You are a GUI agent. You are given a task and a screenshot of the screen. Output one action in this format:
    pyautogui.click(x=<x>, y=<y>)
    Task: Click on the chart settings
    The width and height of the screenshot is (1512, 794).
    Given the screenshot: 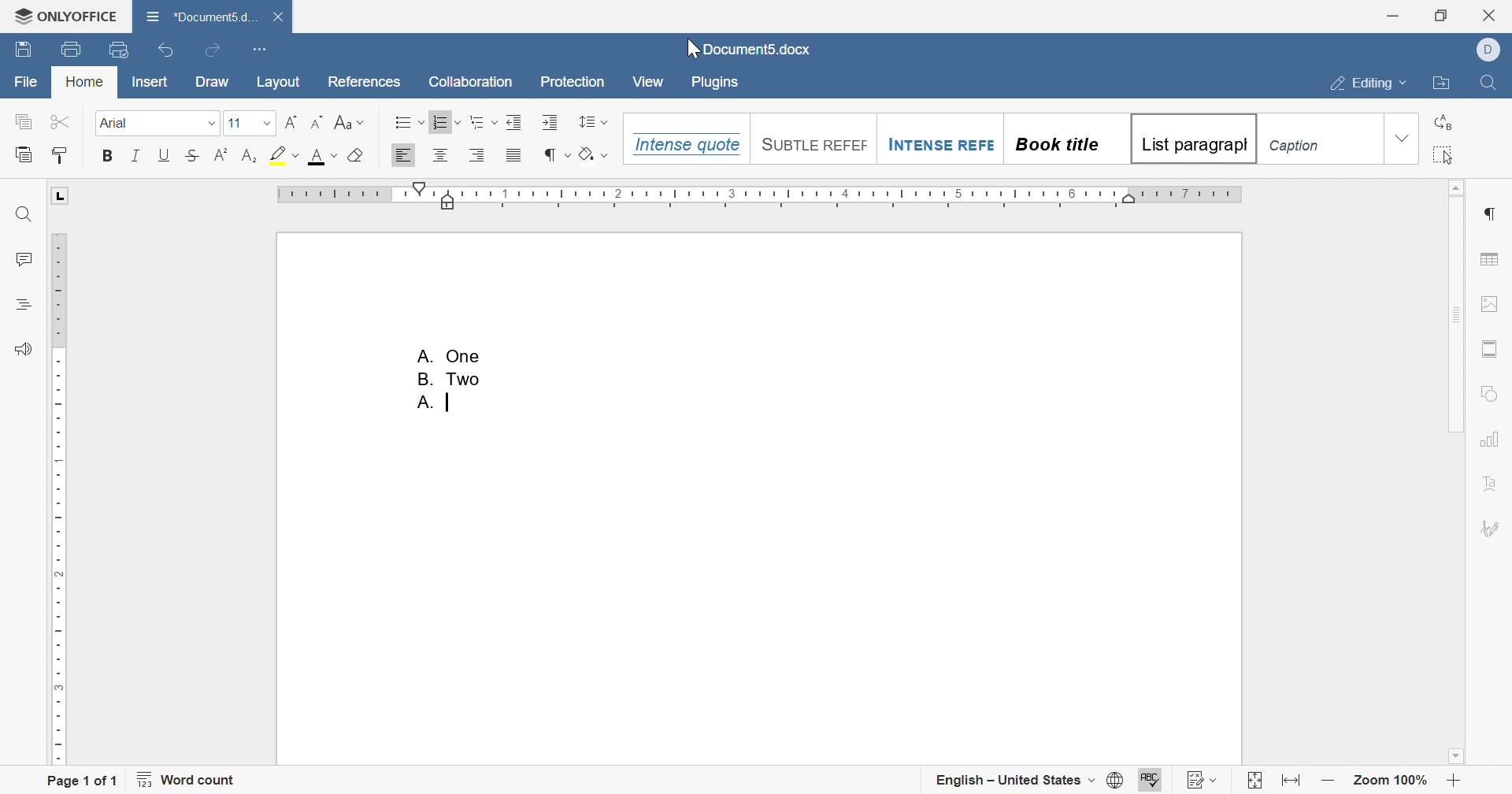 What is the action you would take?
    pyautogui.click(x=1491, y=439)
    